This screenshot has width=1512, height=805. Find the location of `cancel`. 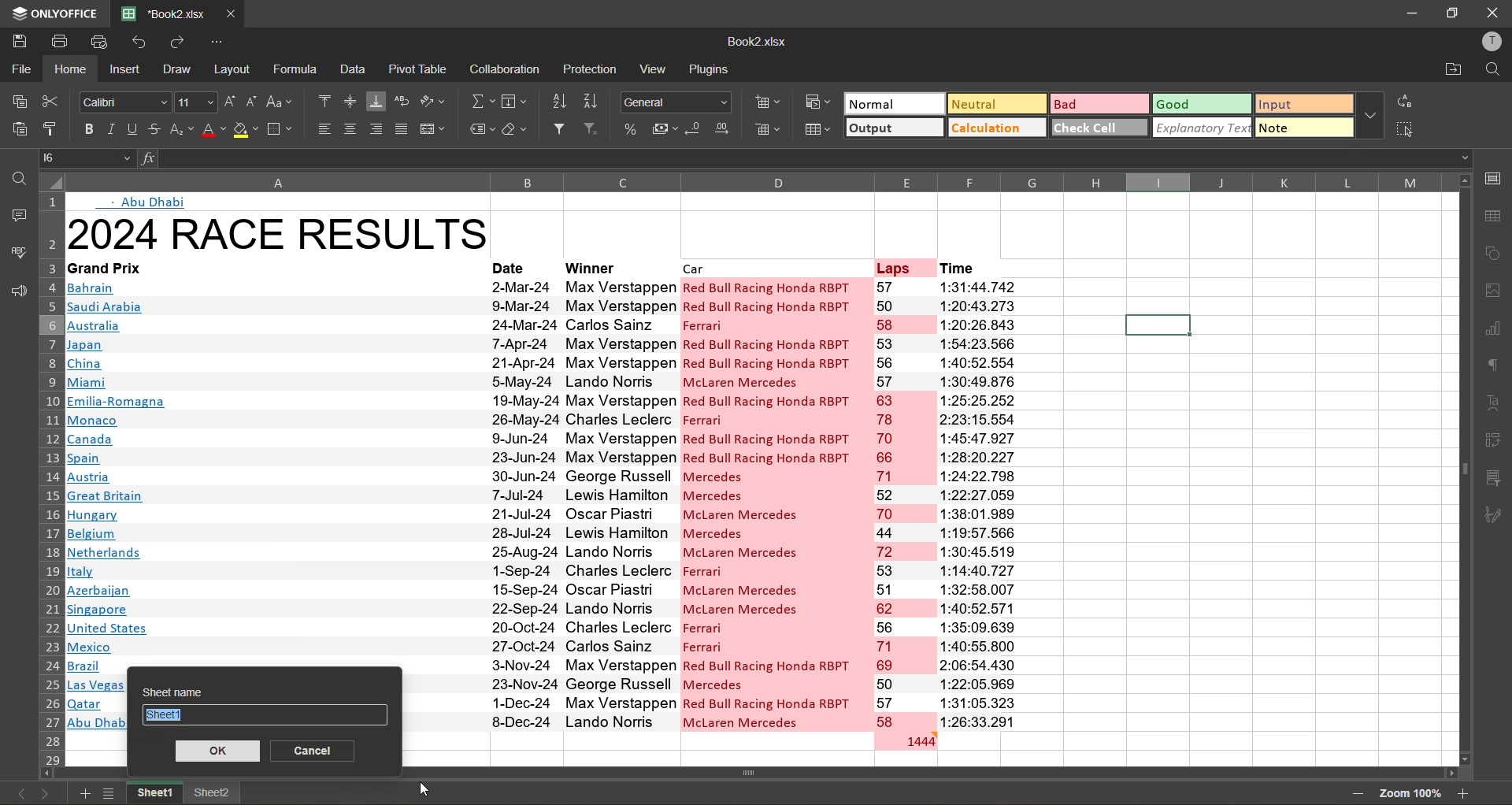

cancel is located at coordinates (316, 750).